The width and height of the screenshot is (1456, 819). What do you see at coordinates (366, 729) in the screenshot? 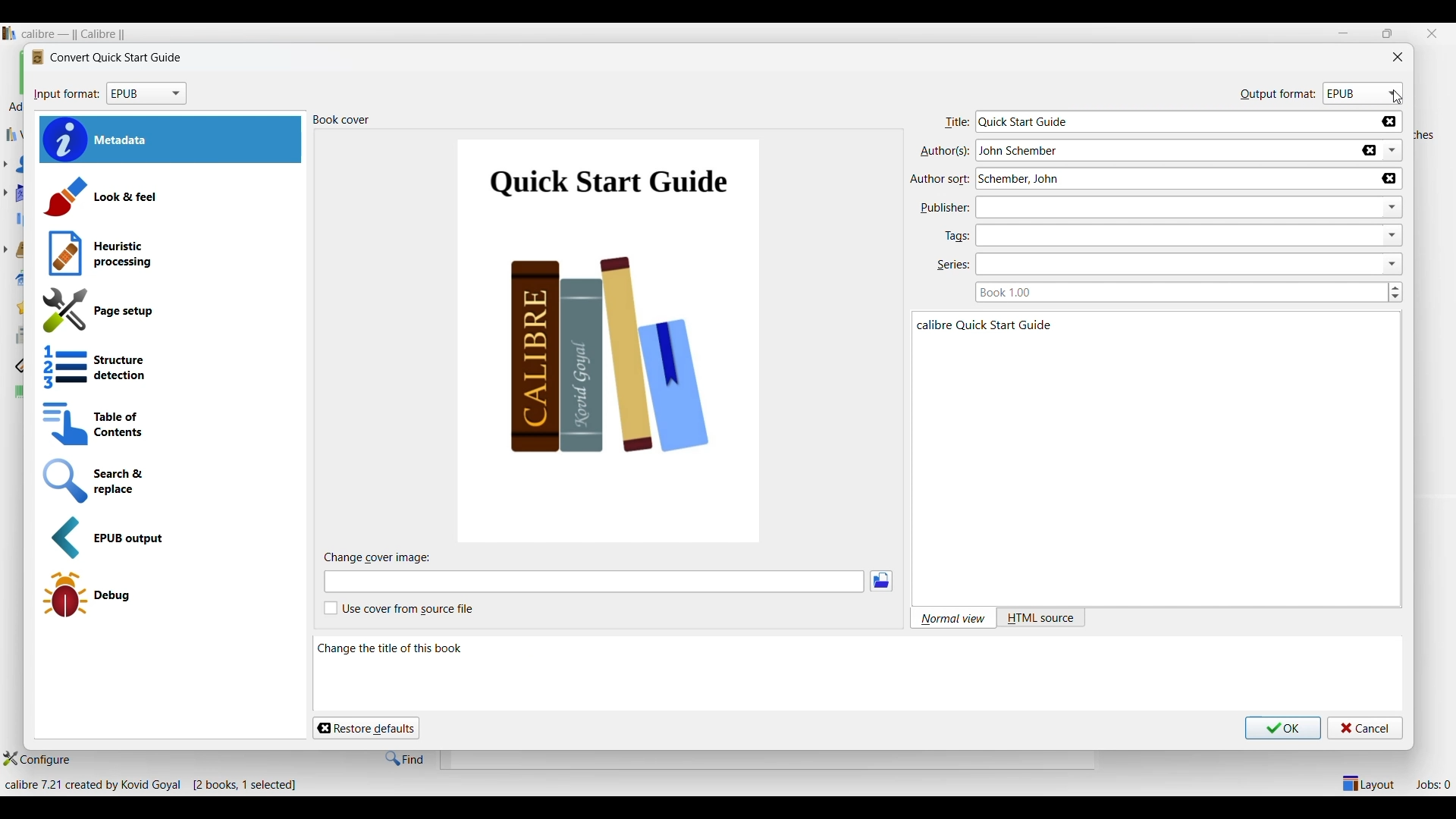
I see `Restore defaults` at bounding box center [366, 729].